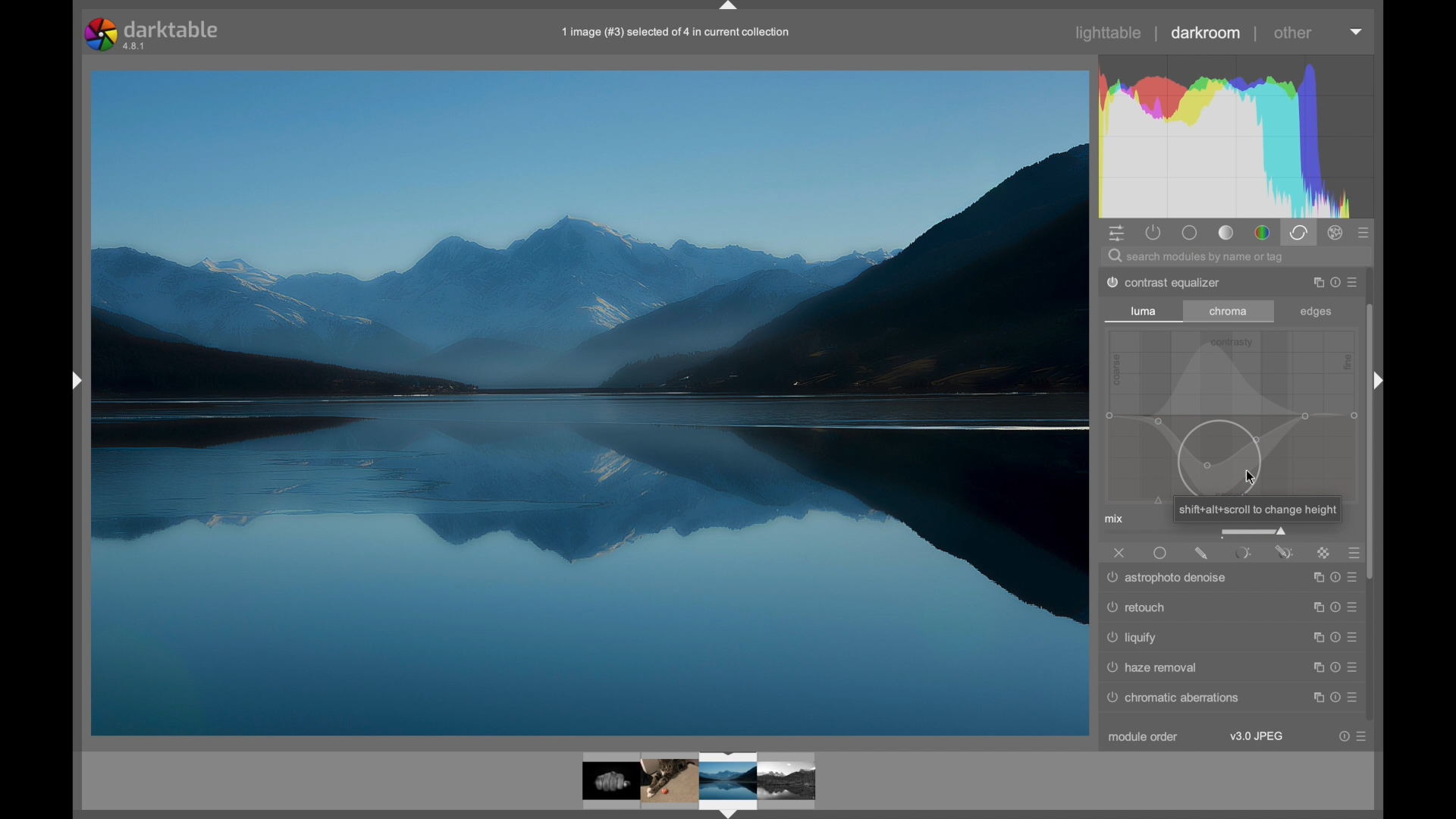 The height and width of the screenshot is (819, 1456). I want to click on more options, so click(1332, 579).